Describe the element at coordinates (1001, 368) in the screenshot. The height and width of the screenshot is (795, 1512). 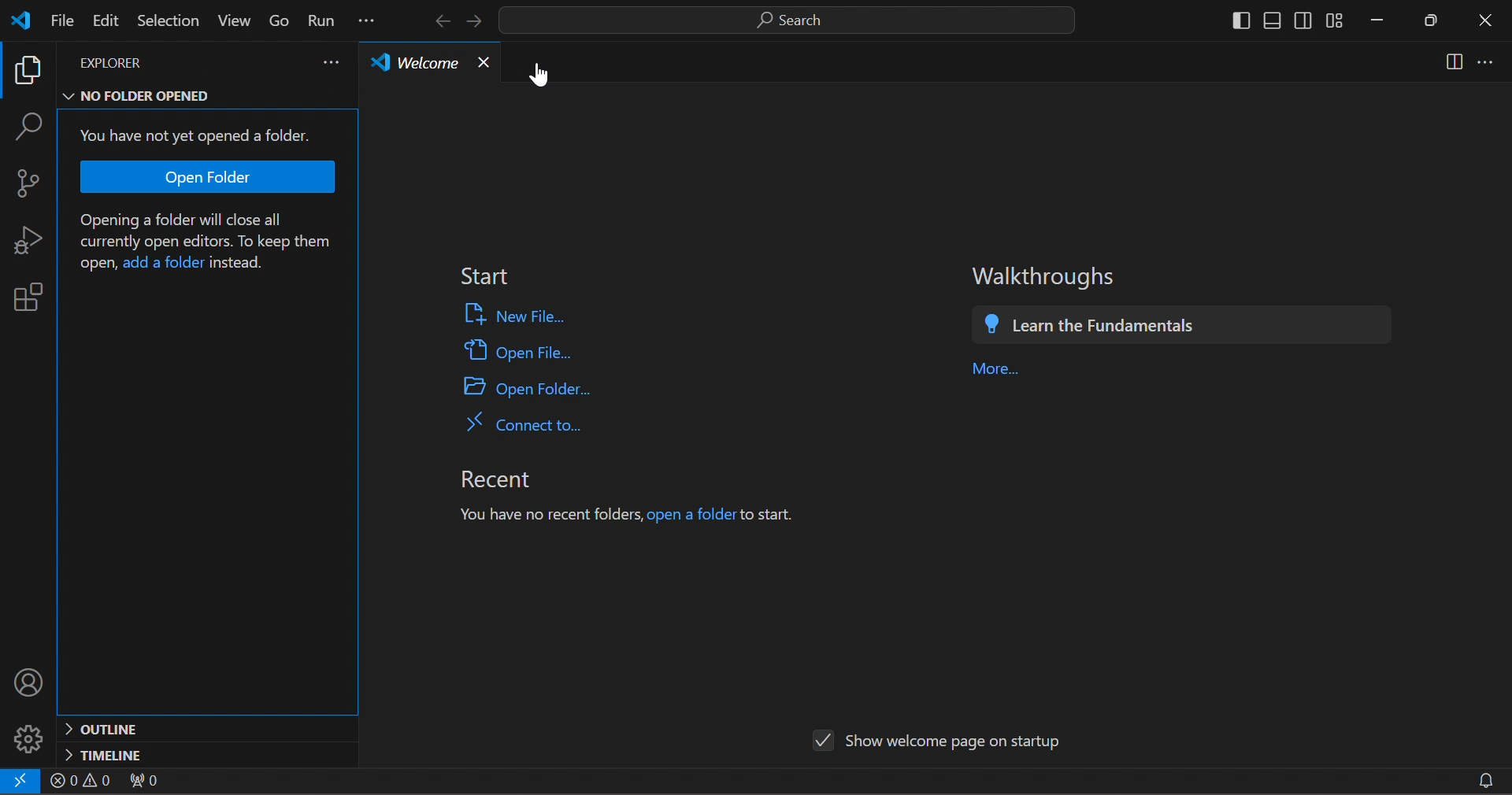
I see `more` at that location.